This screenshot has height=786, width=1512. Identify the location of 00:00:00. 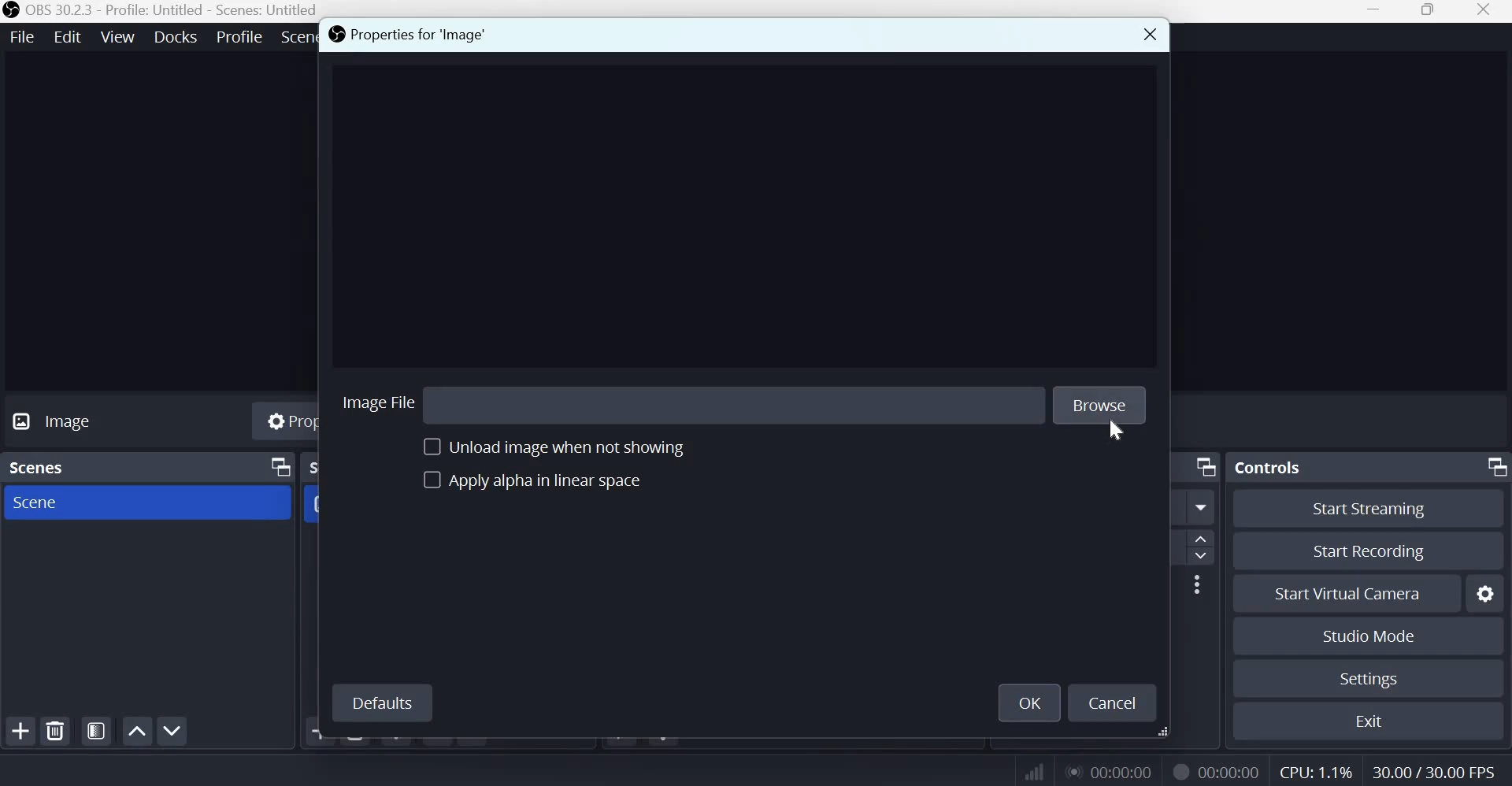
(1231, 772).